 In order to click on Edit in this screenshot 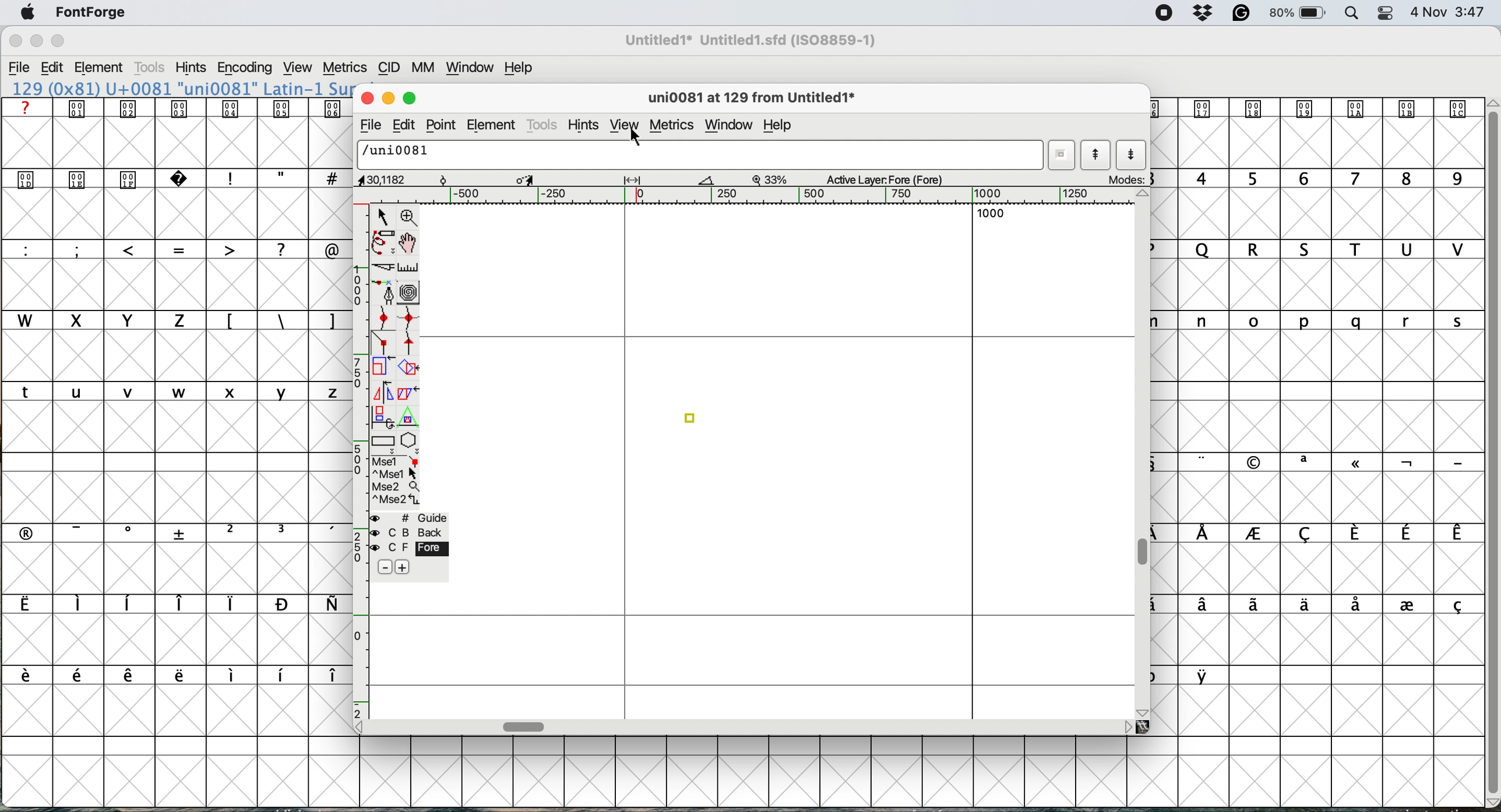, I will do `click(52, 67)`.